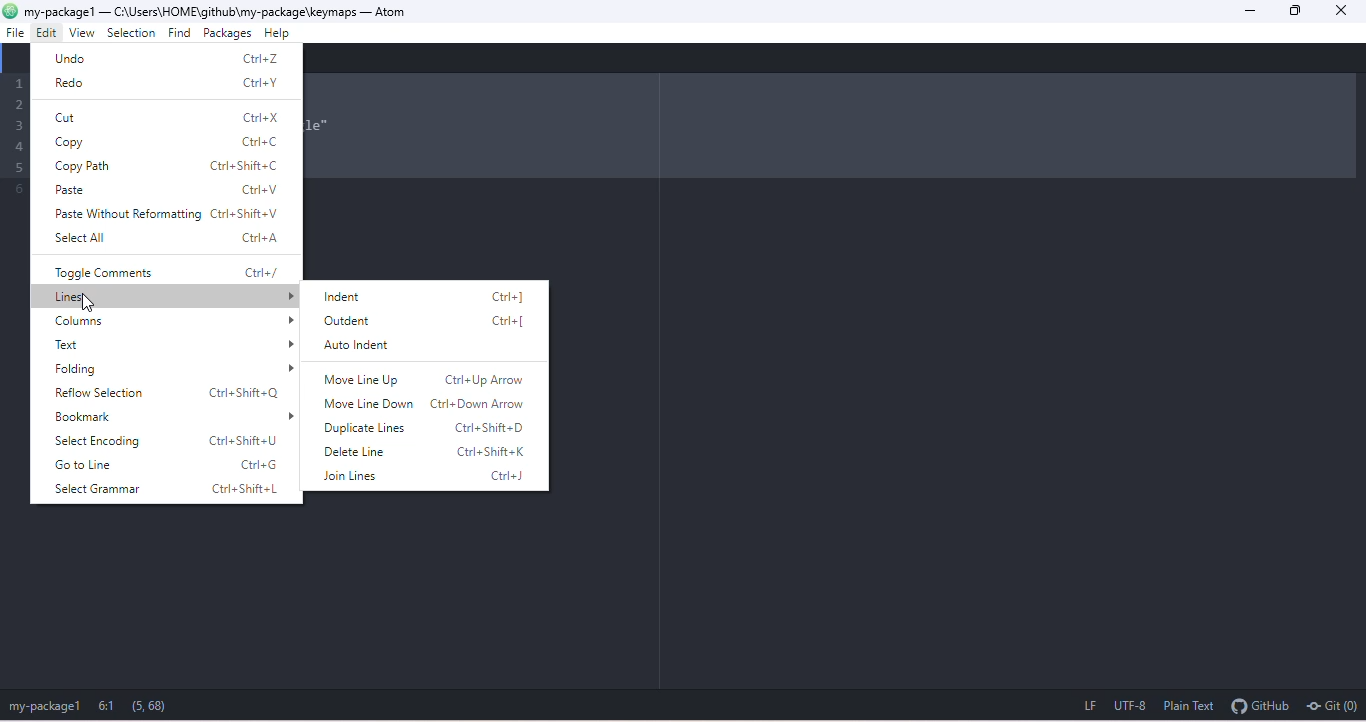  I want to click on  c:\users\home\github\my package\keymaps-atom, so click(231, 10).